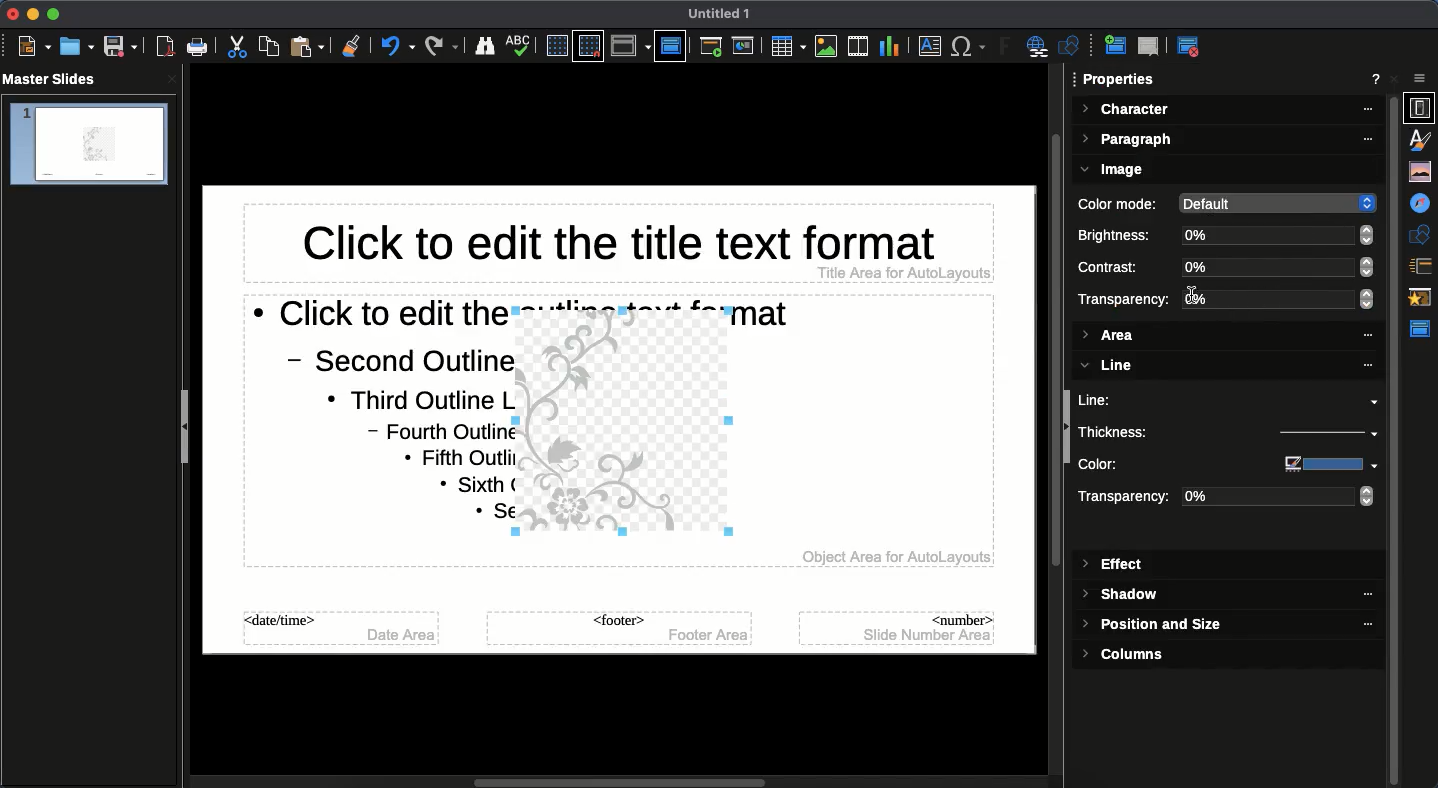 Image resolution: width=1438 pixels, height=788 pixels. What do you see at coordinates (34, 47) in the screenshot?
I see `New` at bounding box center [34, 47].